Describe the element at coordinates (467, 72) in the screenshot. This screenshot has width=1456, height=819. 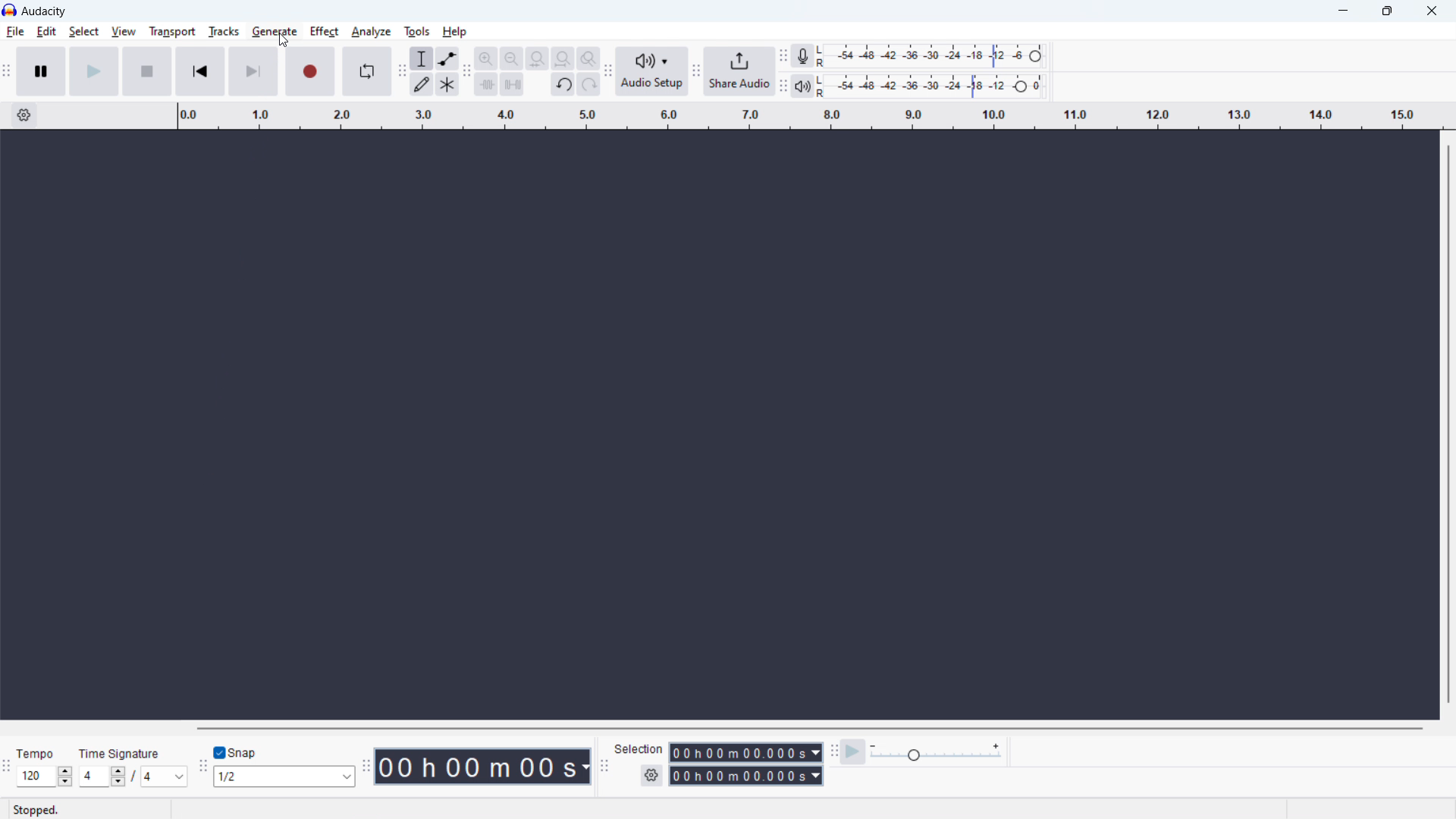
I see `edit toolbar` at that location.